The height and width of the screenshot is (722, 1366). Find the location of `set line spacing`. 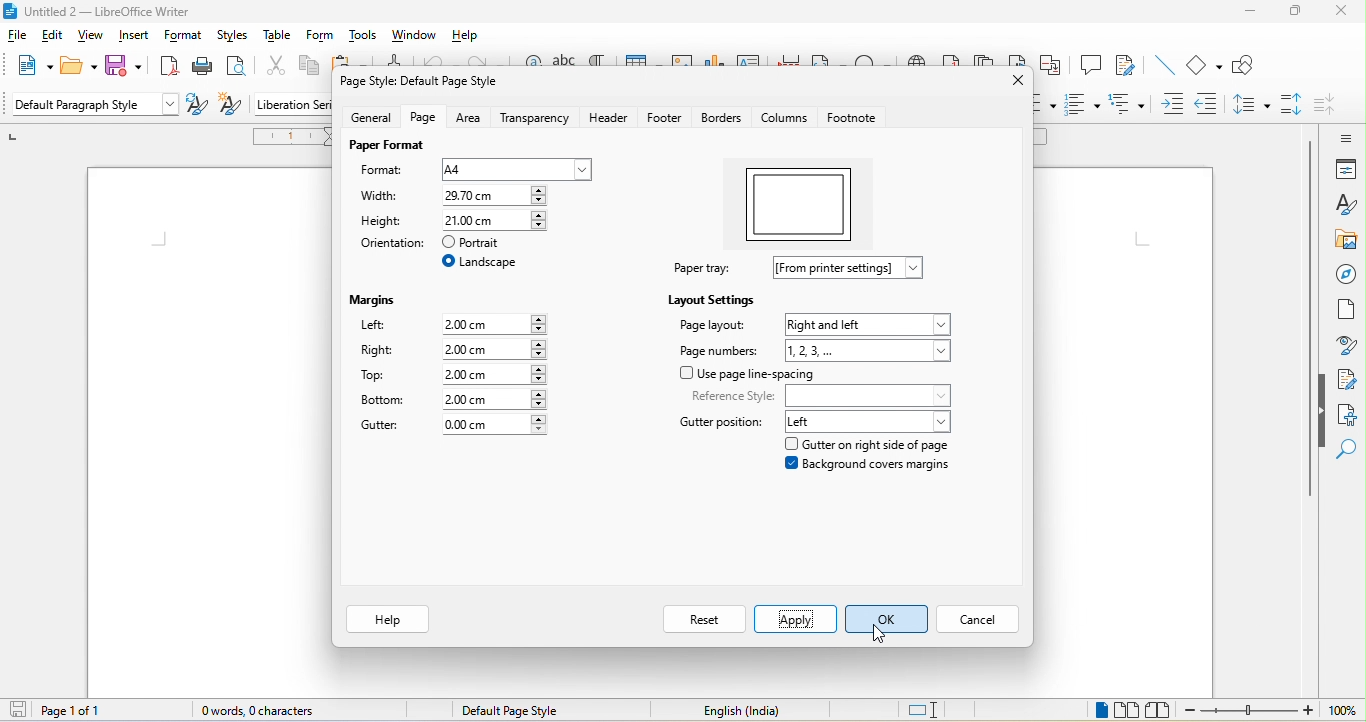

set line spacing is located at coordinates (1250, 107).